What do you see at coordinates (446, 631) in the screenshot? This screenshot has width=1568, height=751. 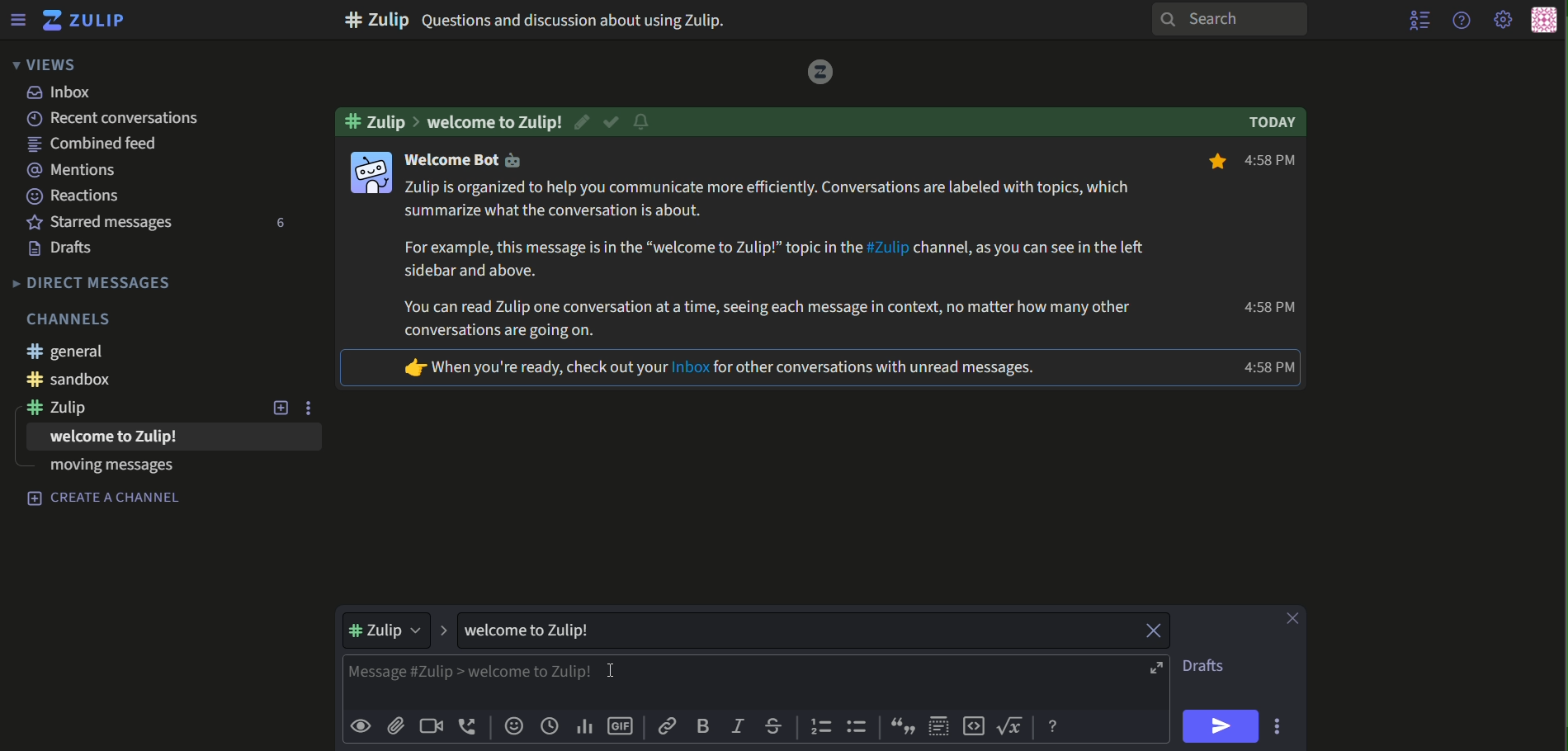 I see `arrow` at bounding box center [446, 631].